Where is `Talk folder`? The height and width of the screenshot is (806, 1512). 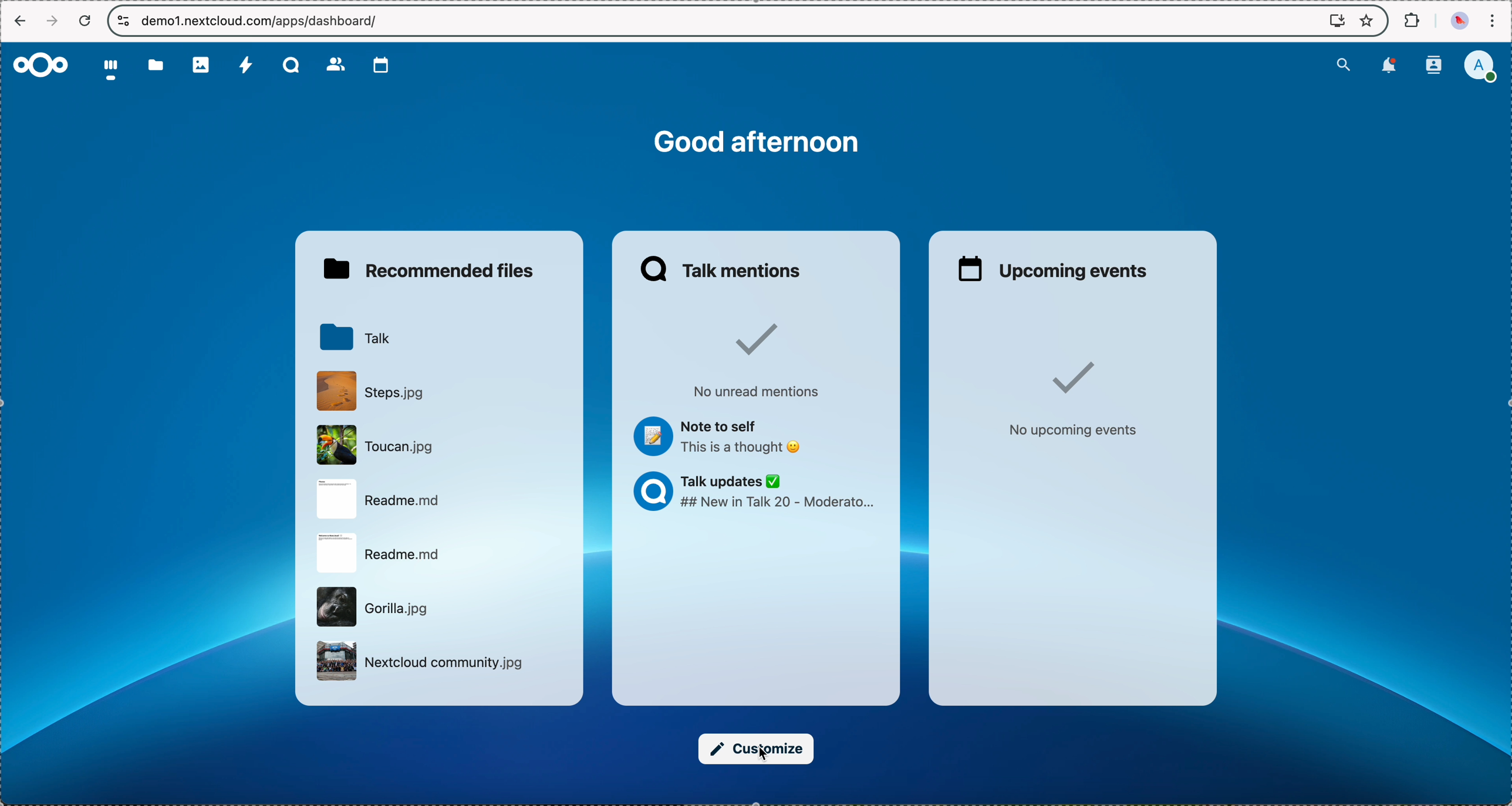
Talk folder is located at coordinates (358, 337).